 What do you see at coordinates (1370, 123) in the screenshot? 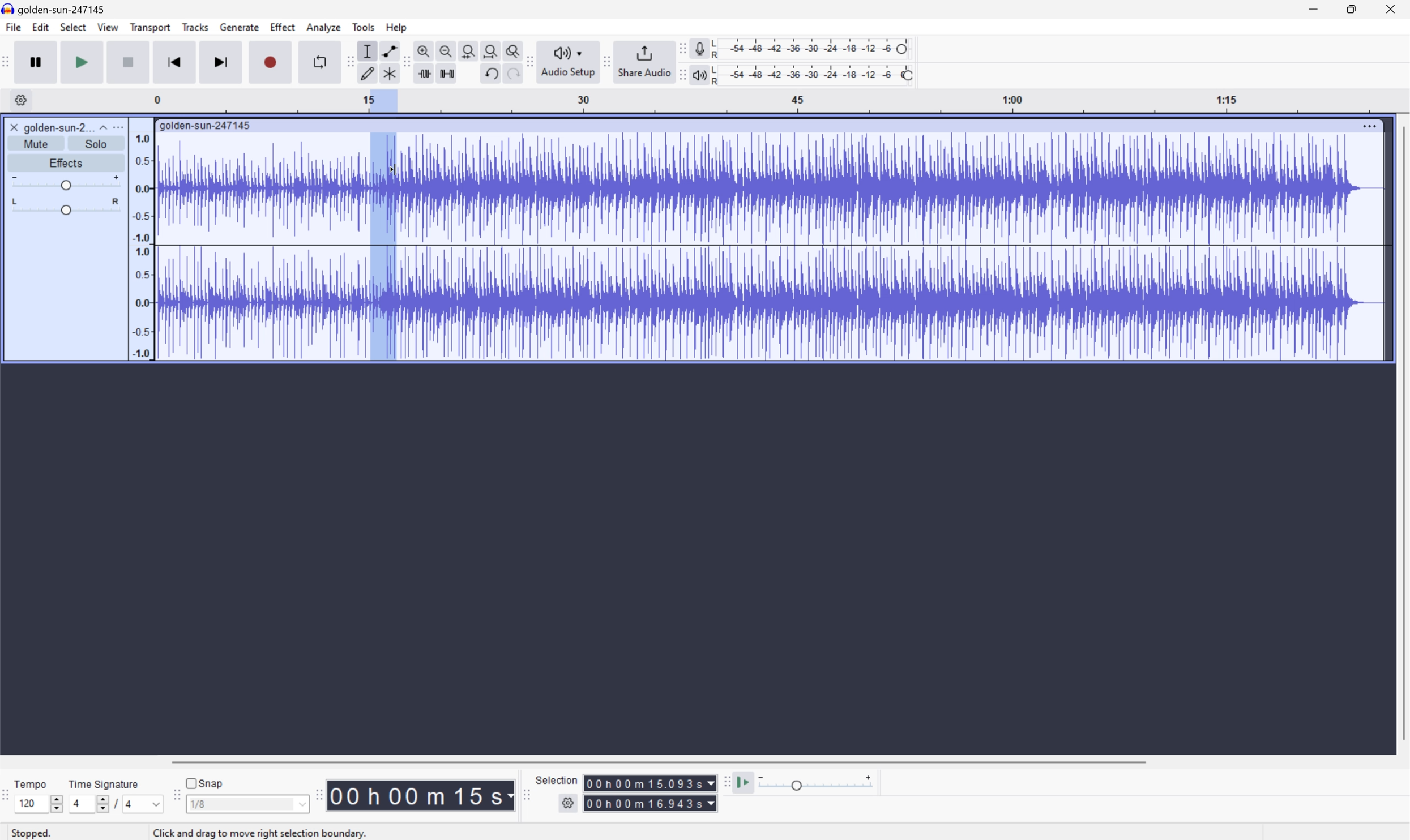
I see `More` at bounding box center [1370, 123].